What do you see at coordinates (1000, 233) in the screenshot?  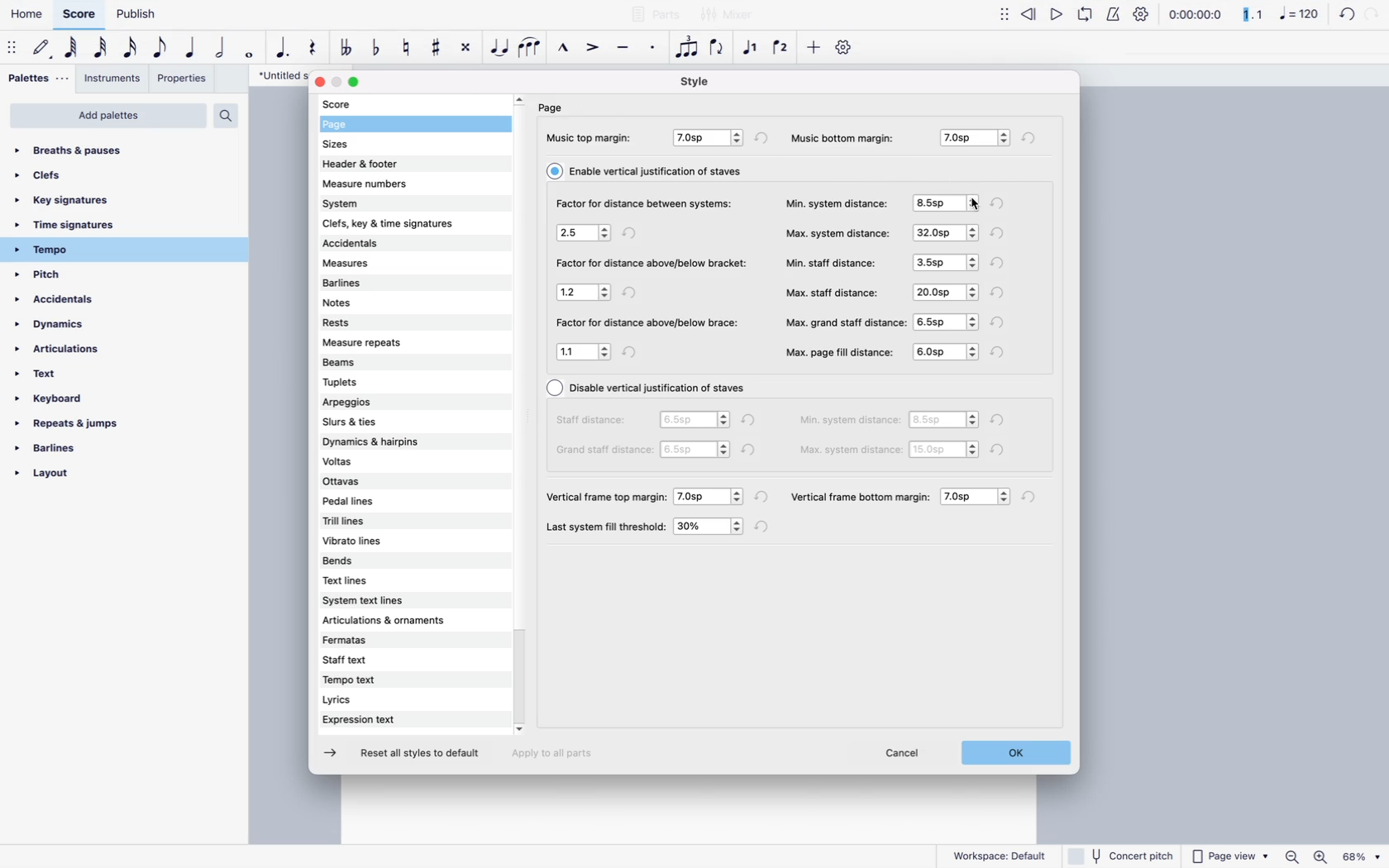 I see `refresh` at bounding box center [1000, 233].